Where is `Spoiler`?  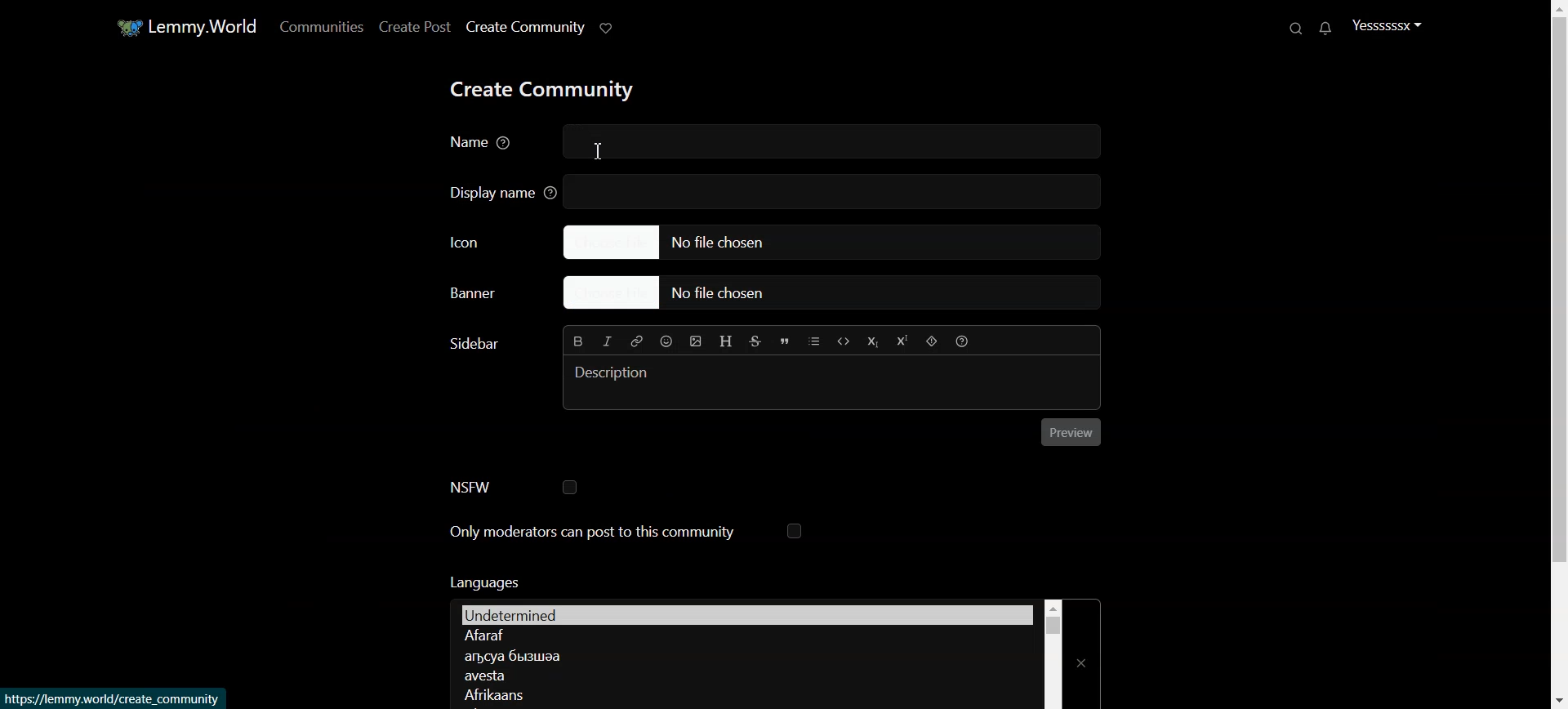
Spoiler is located at coordinates (932, 341).